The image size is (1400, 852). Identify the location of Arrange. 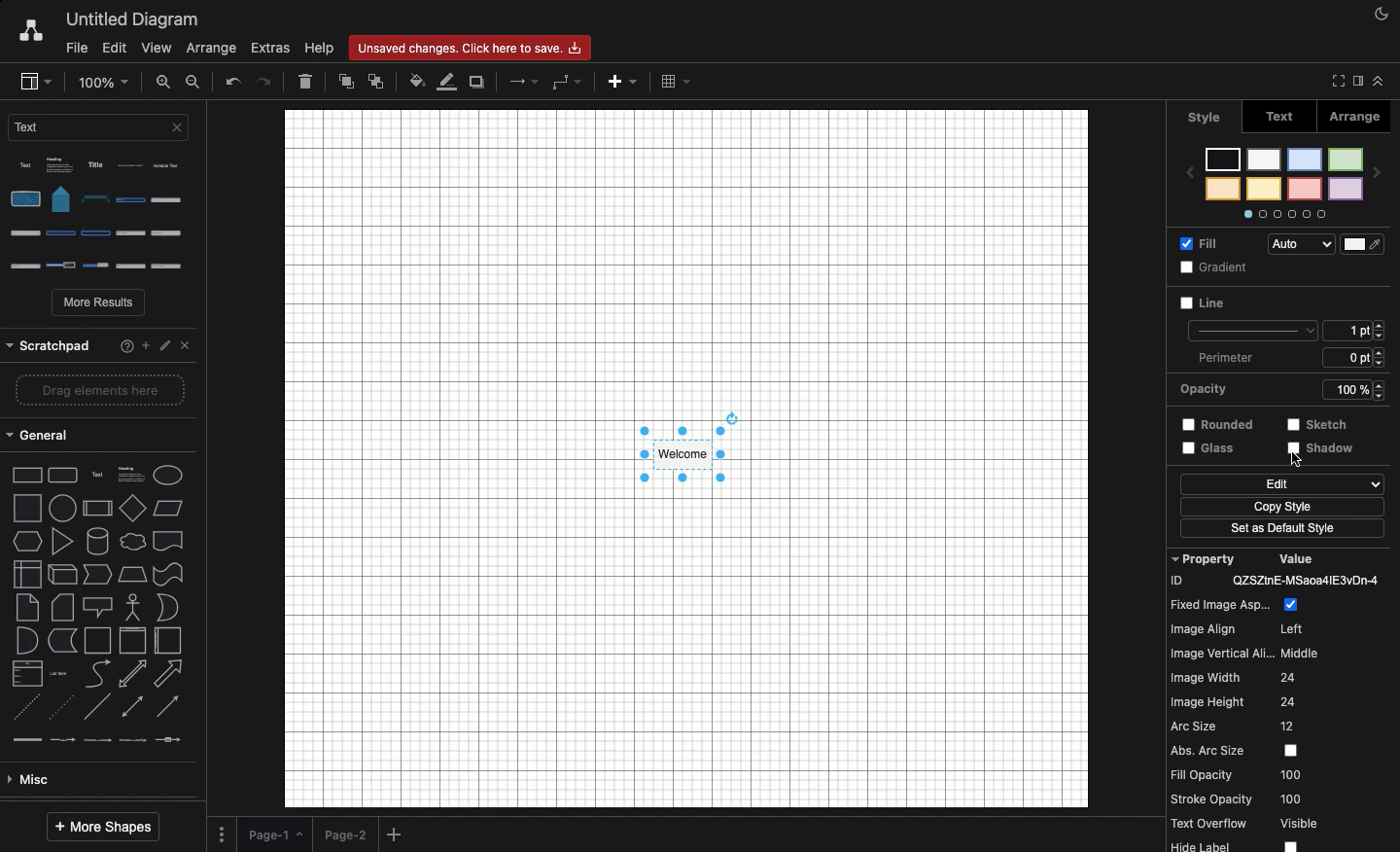
(214, 47).